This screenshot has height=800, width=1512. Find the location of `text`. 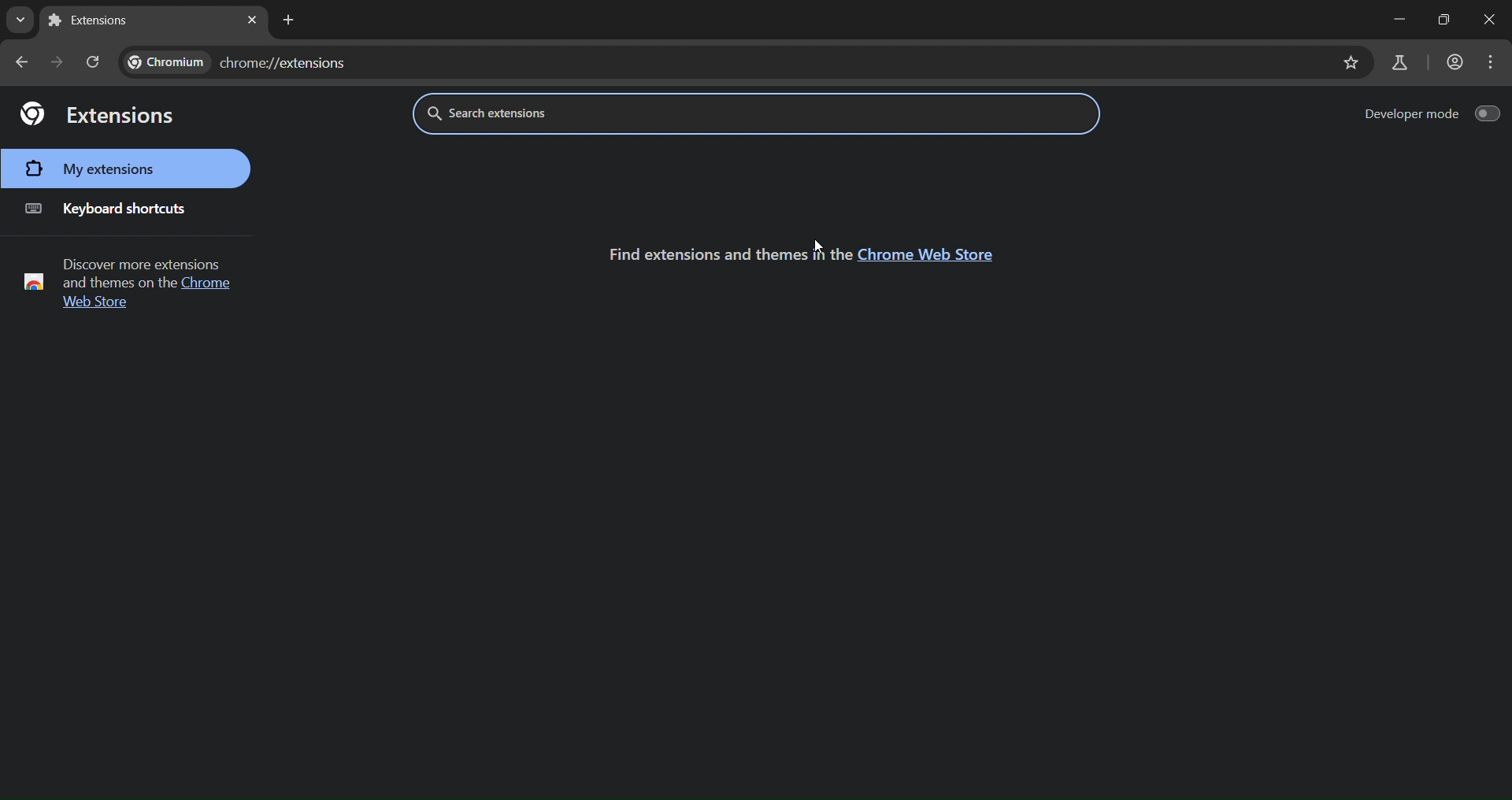

text is located at coordinates (805, 257).